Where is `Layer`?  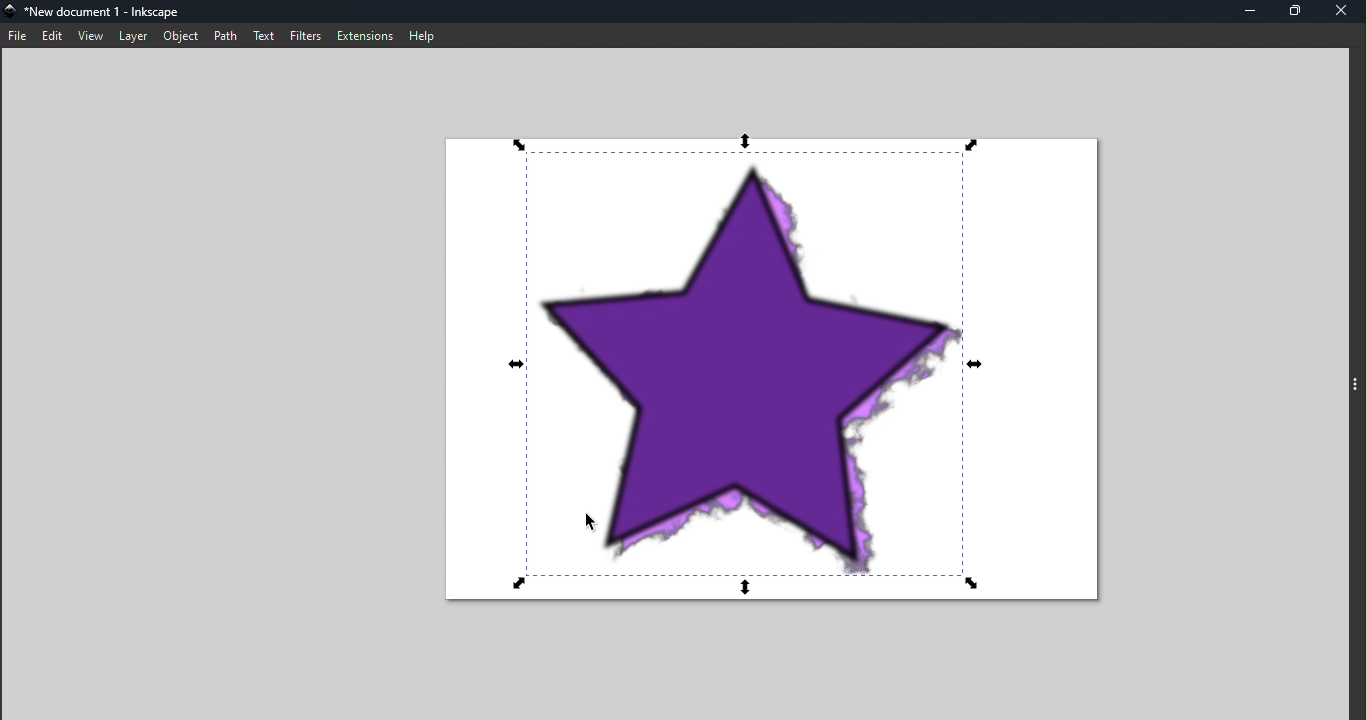
Layer is located at coordinates (133, 35).